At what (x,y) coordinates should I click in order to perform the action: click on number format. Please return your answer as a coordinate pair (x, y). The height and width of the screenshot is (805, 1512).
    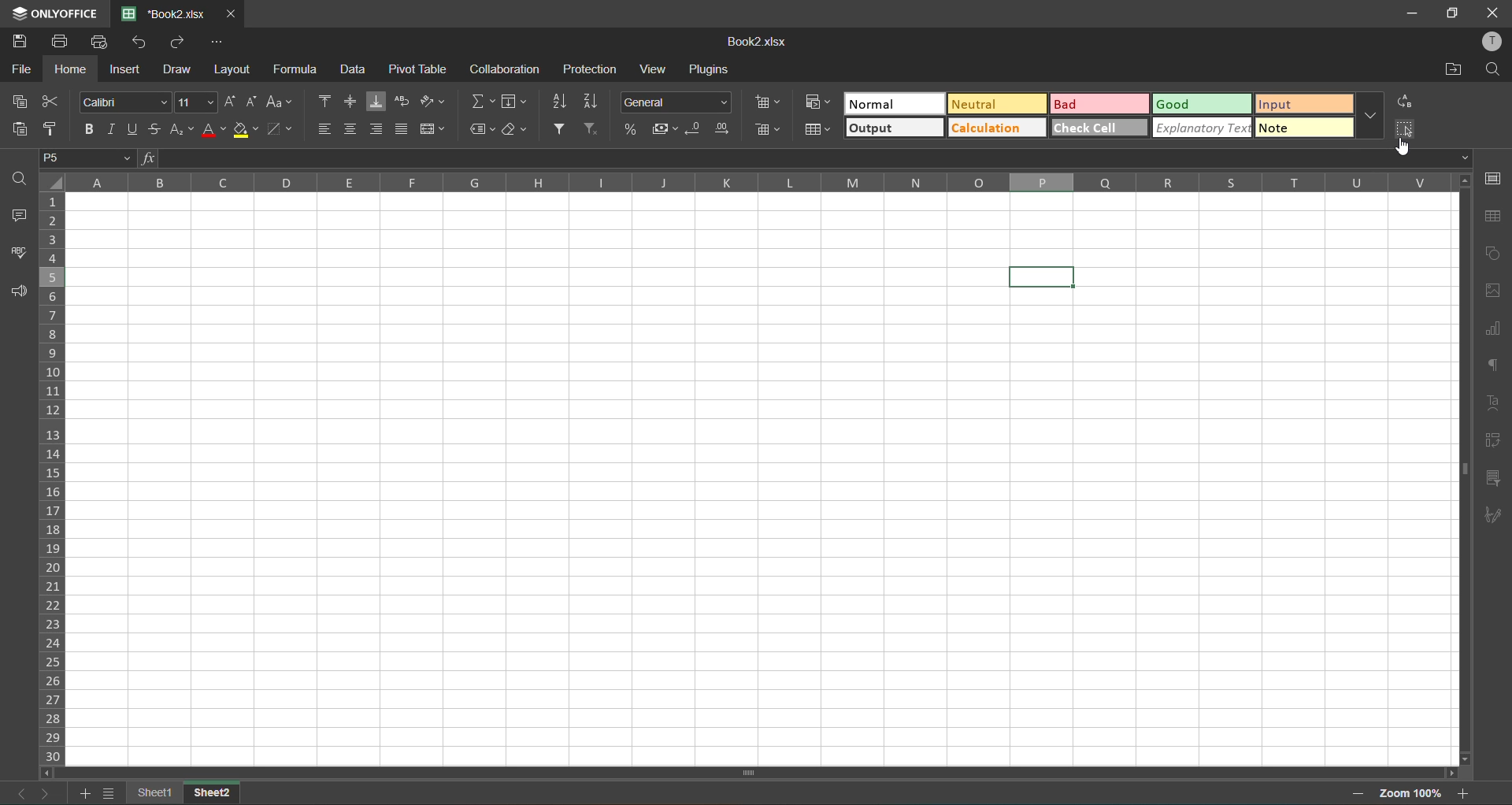
    Looking at the image, I should click on (680, 103).